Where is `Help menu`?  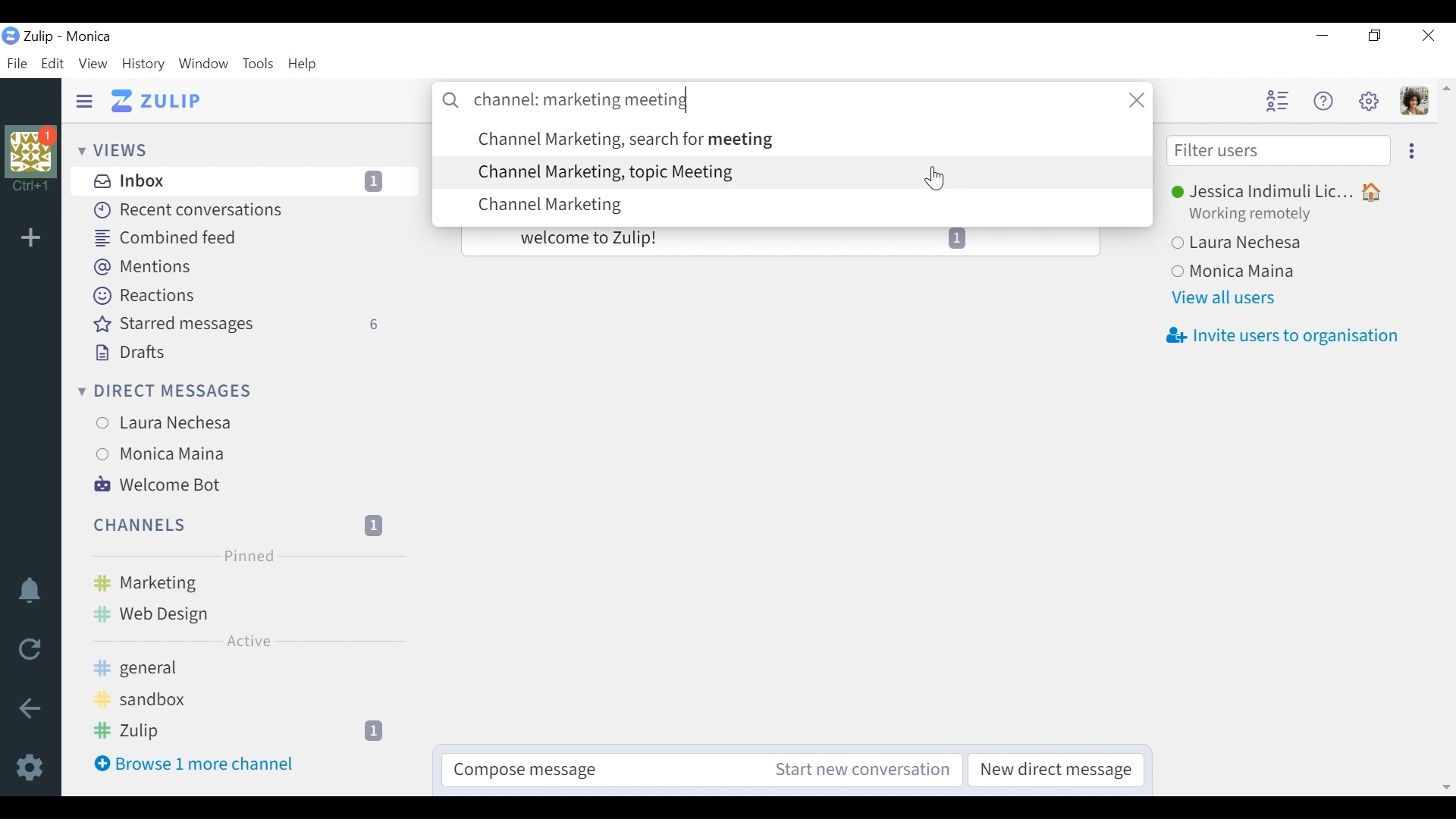
Help menu is located at coordinates (1322, 101).